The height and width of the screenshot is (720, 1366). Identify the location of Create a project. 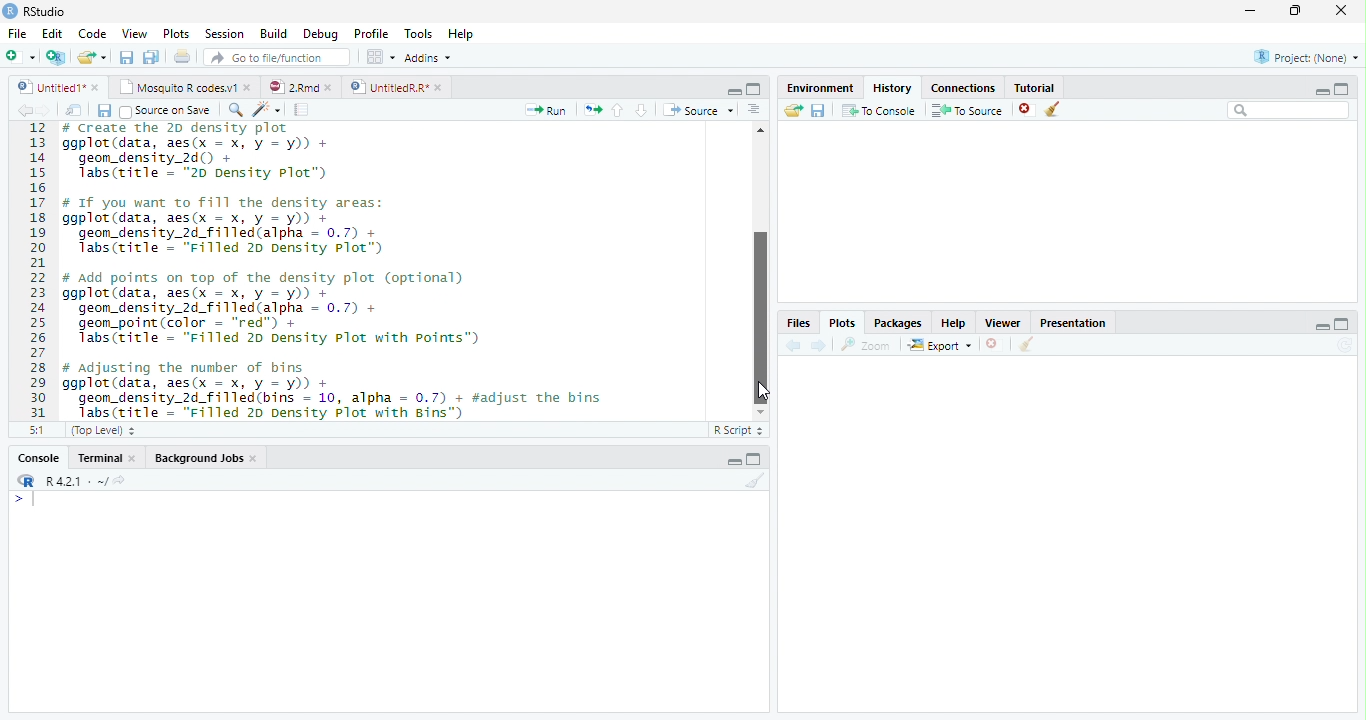
(55, 57).